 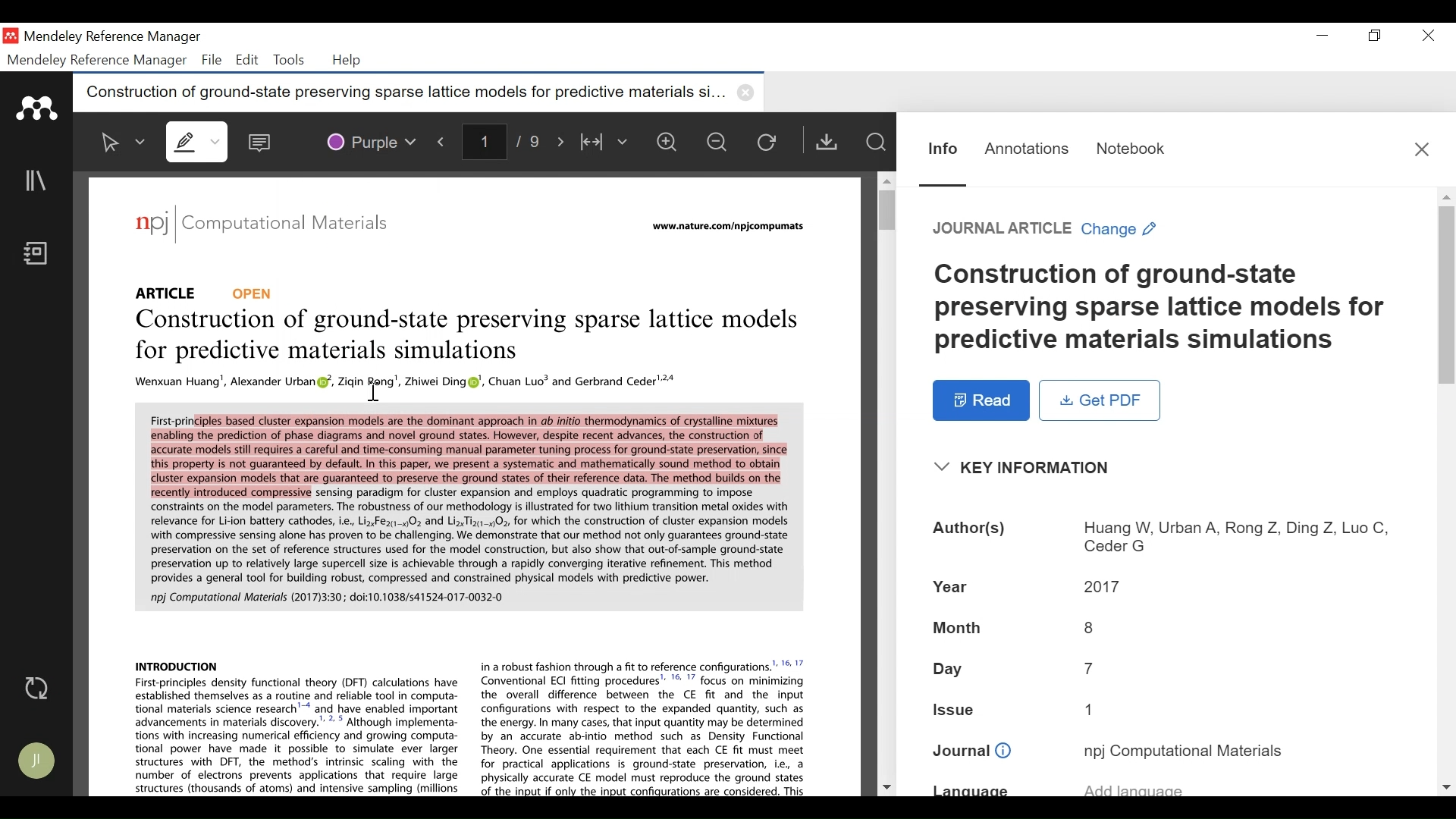 What do you see at coordinates (1182, 752) in the screenshot?
I see `npj Computational Materials` at bounding box center [1182, 752].